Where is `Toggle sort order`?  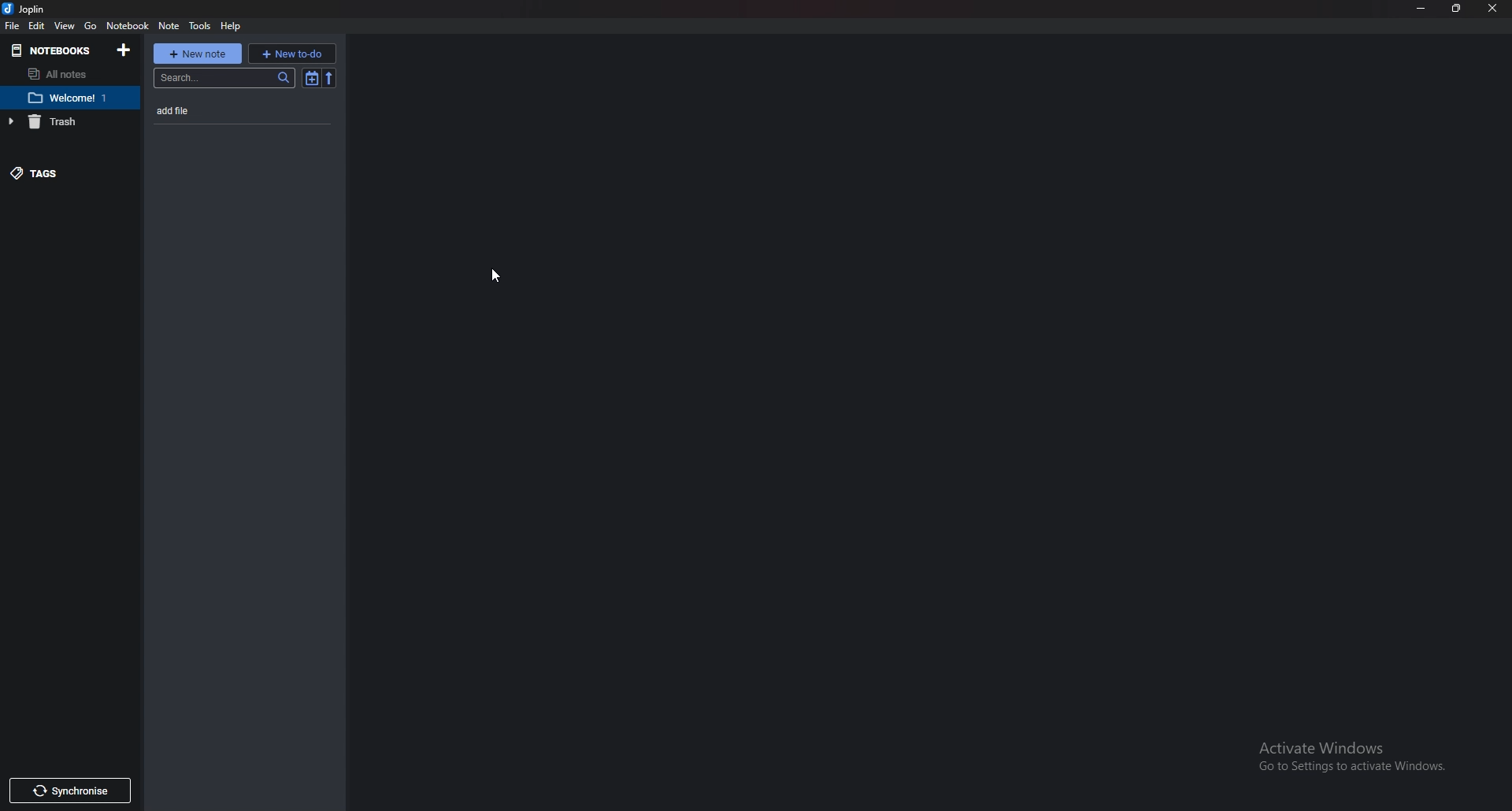
Toggle sort order is located at coordinates (309, 79).